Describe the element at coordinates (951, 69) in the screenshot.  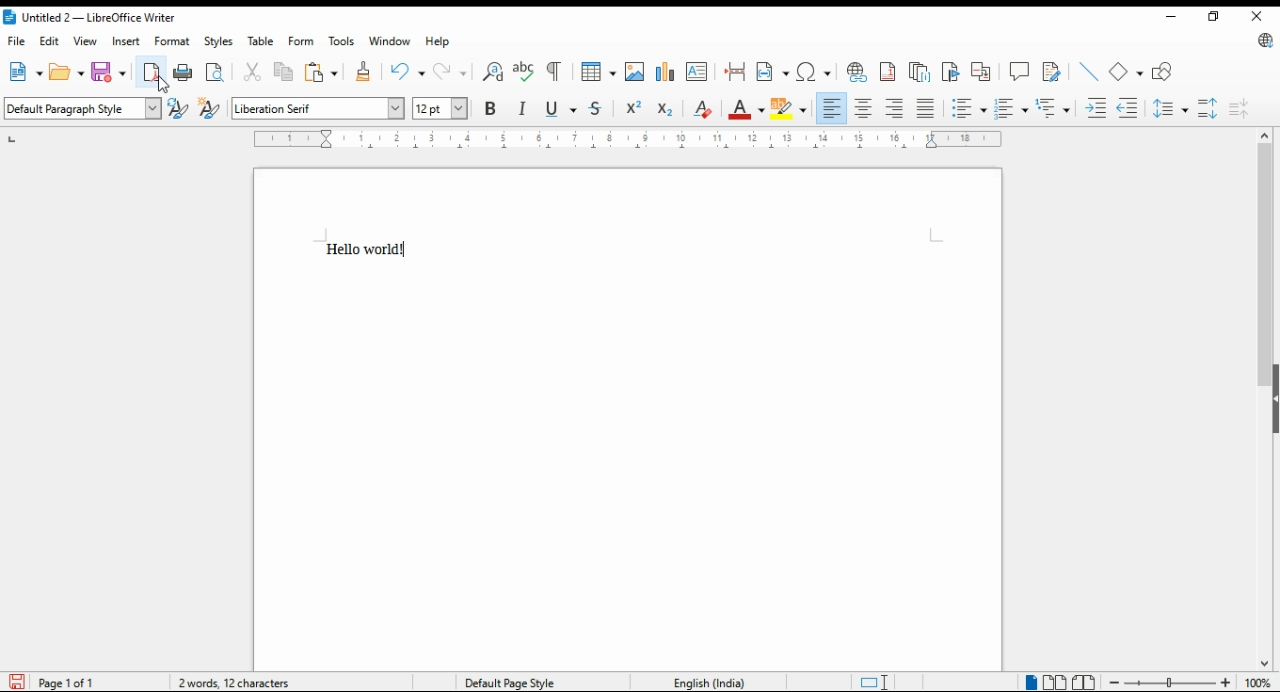
I see `insert bookmark` at that location.